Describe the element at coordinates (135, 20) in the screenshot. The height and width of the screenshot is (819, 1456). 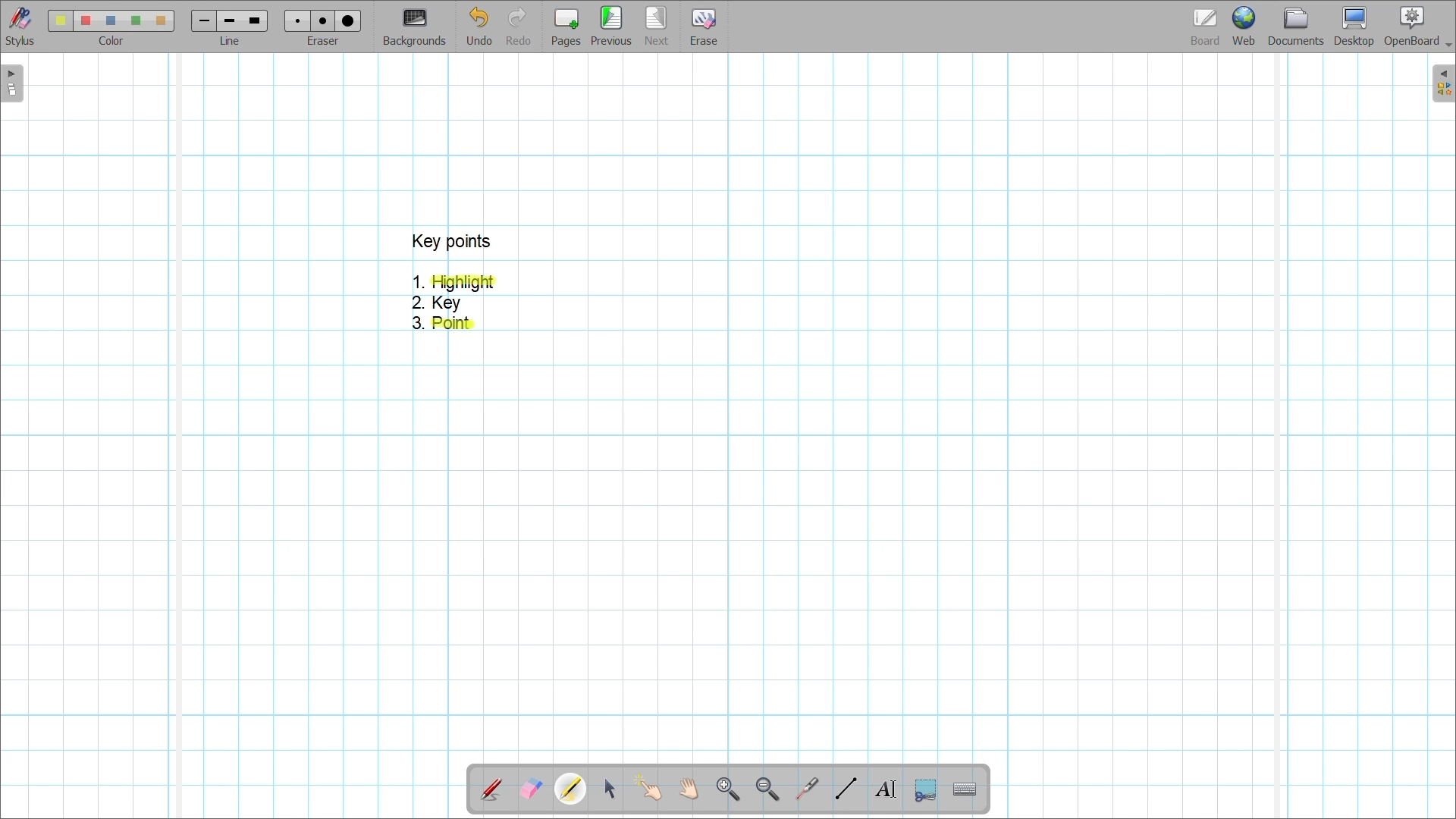
I see `color4` at that location.